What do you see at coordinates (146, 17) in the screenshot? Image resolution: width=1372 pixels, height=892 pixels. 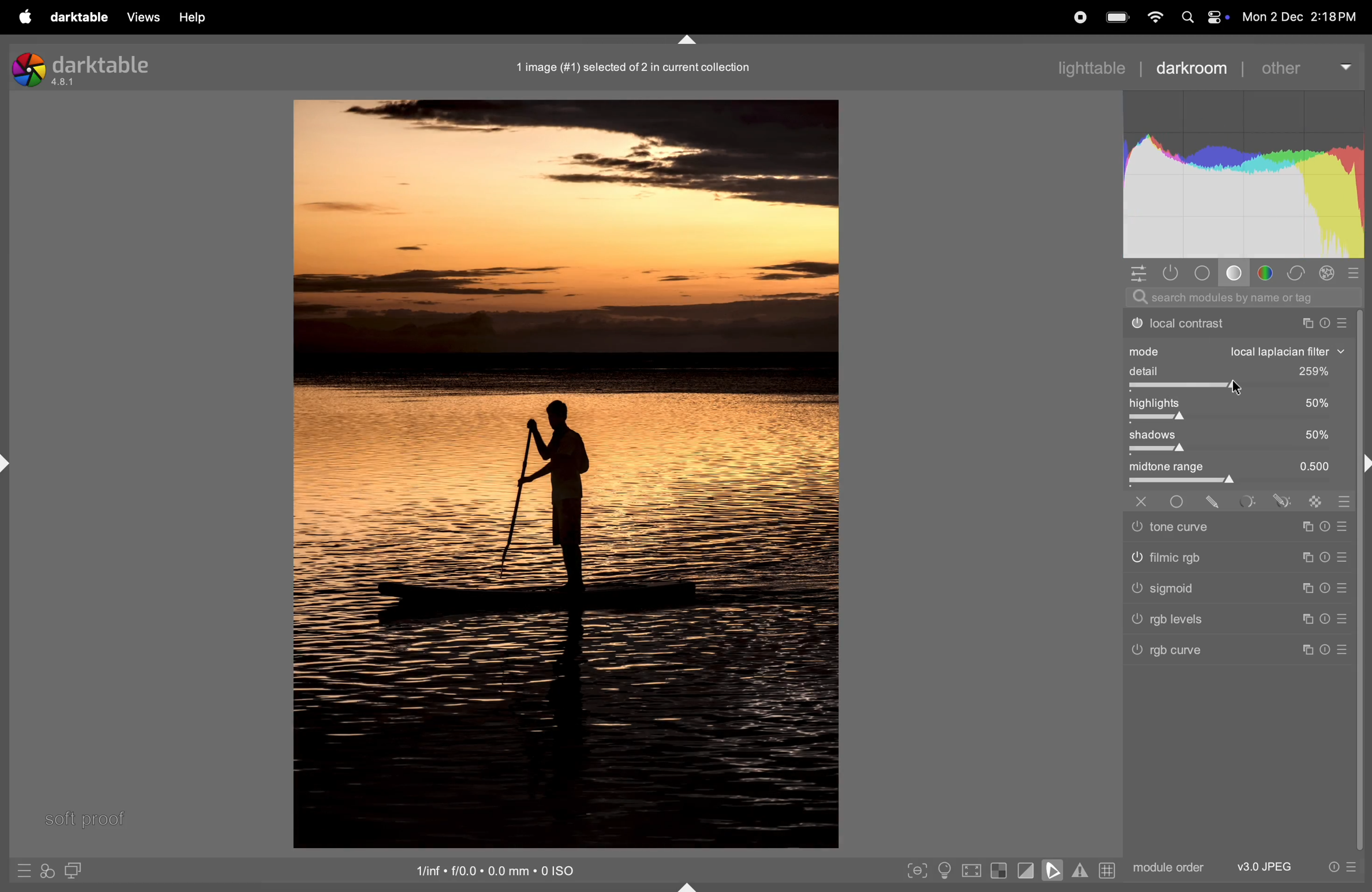 I see `views` at bounding box center [146, 17].